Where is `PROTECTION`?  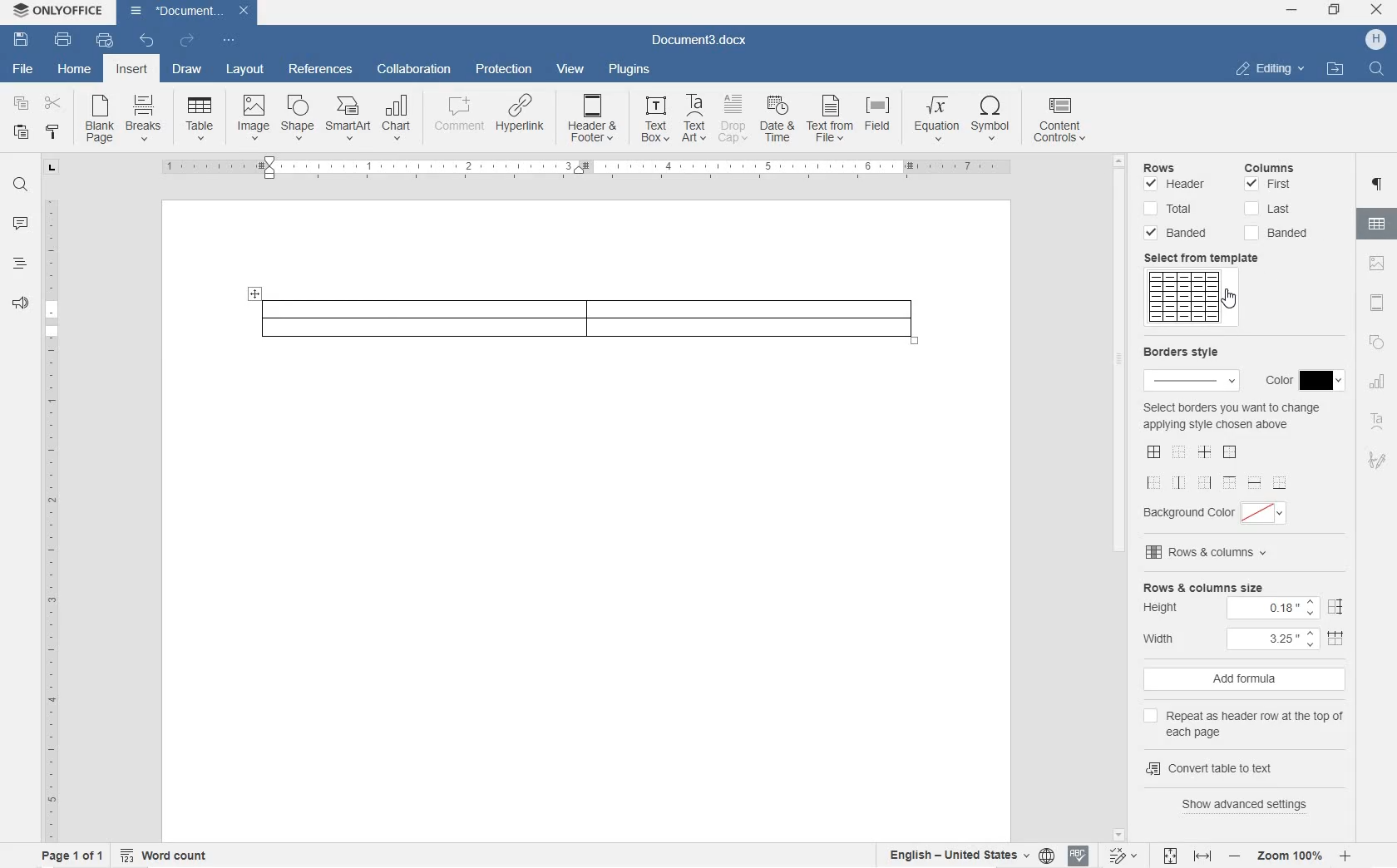 PROTECTION is located at coordinates (503, 71).